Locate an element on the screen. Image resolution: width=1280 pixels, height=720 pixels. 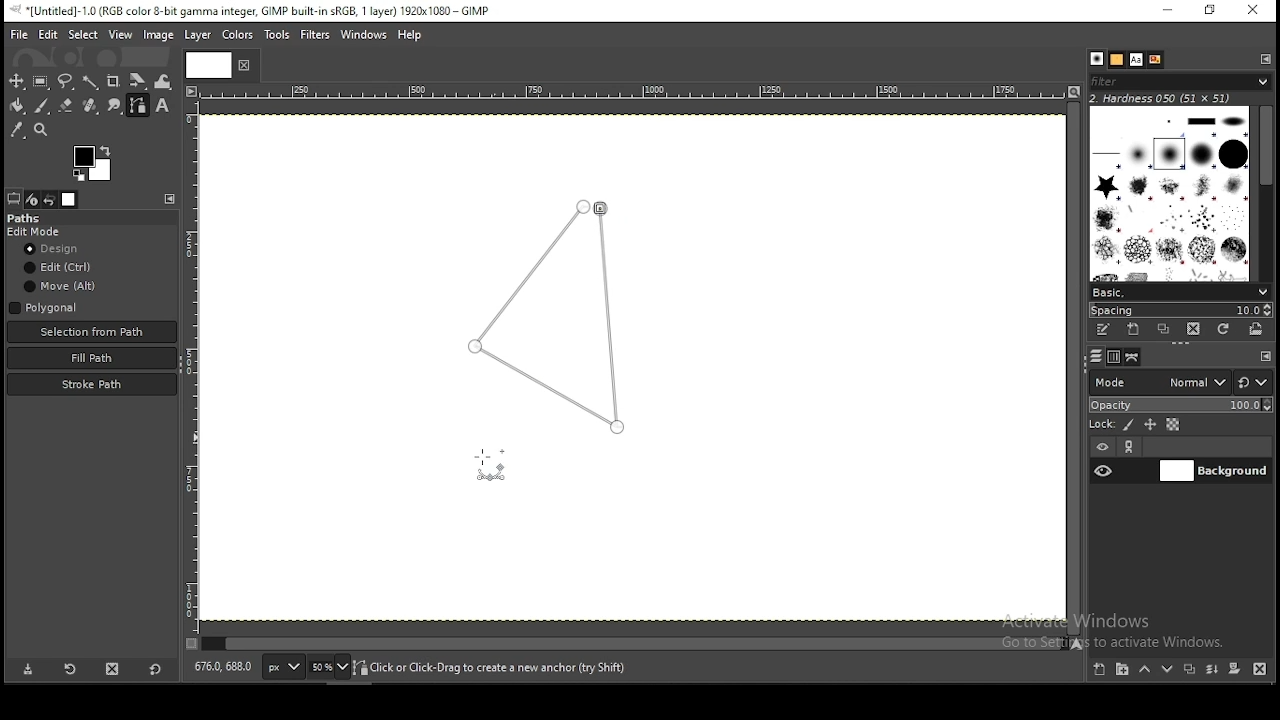
delete this brush is located at coordinates (1194, 329).